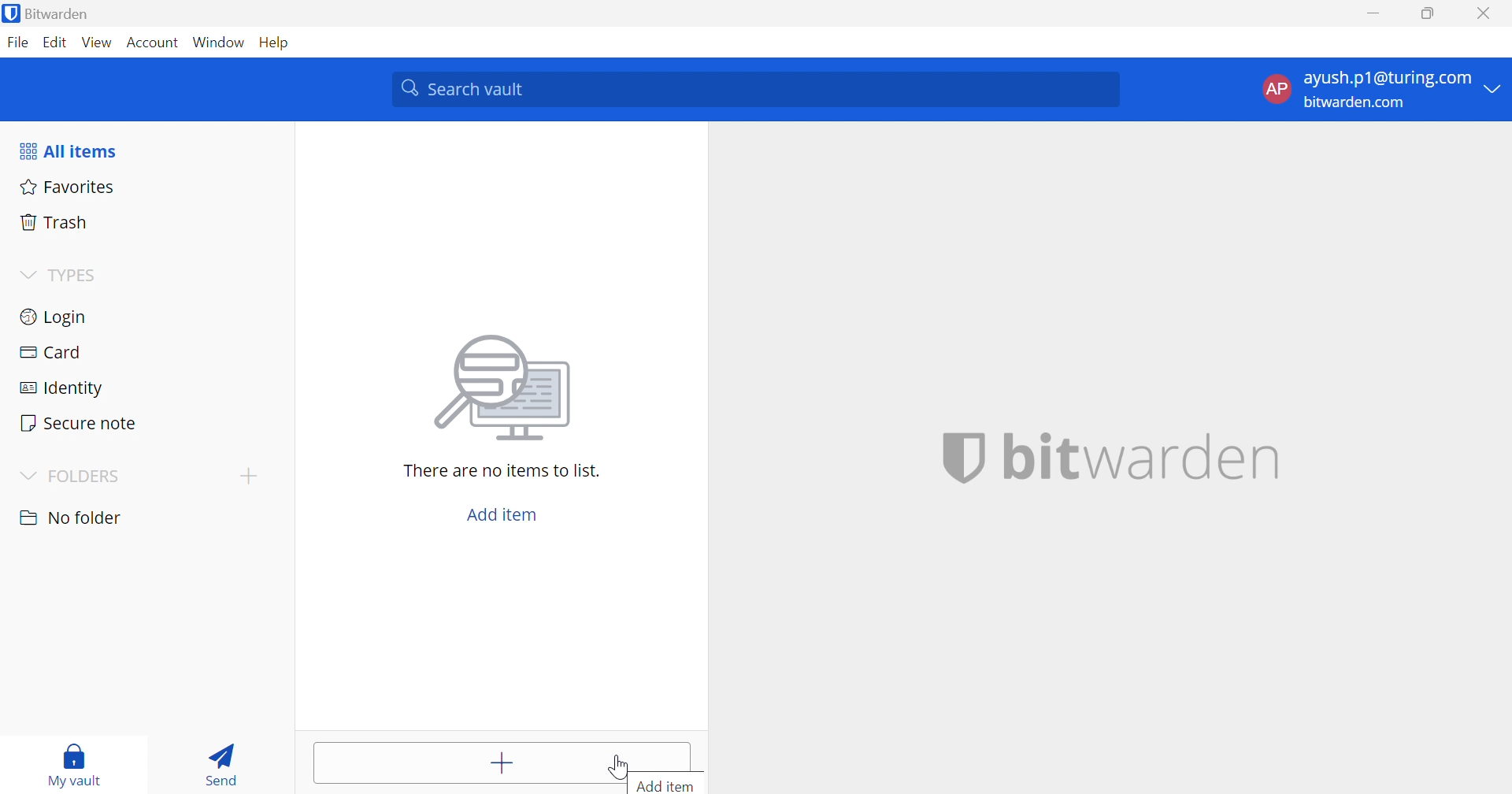  Describe the element at coordinates (54, 220) in the screenshot. I see `Trash` at that location.